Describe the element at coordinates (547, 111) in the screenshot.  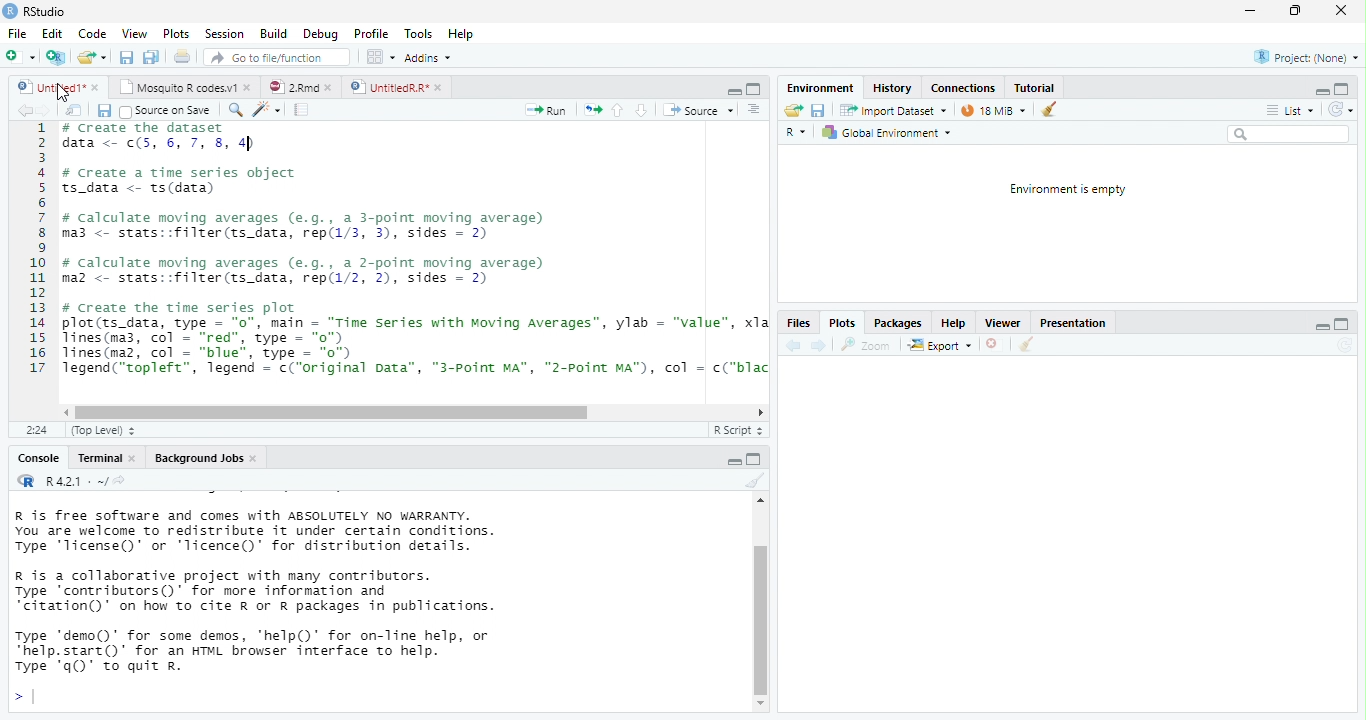
I see `Run` at that location.